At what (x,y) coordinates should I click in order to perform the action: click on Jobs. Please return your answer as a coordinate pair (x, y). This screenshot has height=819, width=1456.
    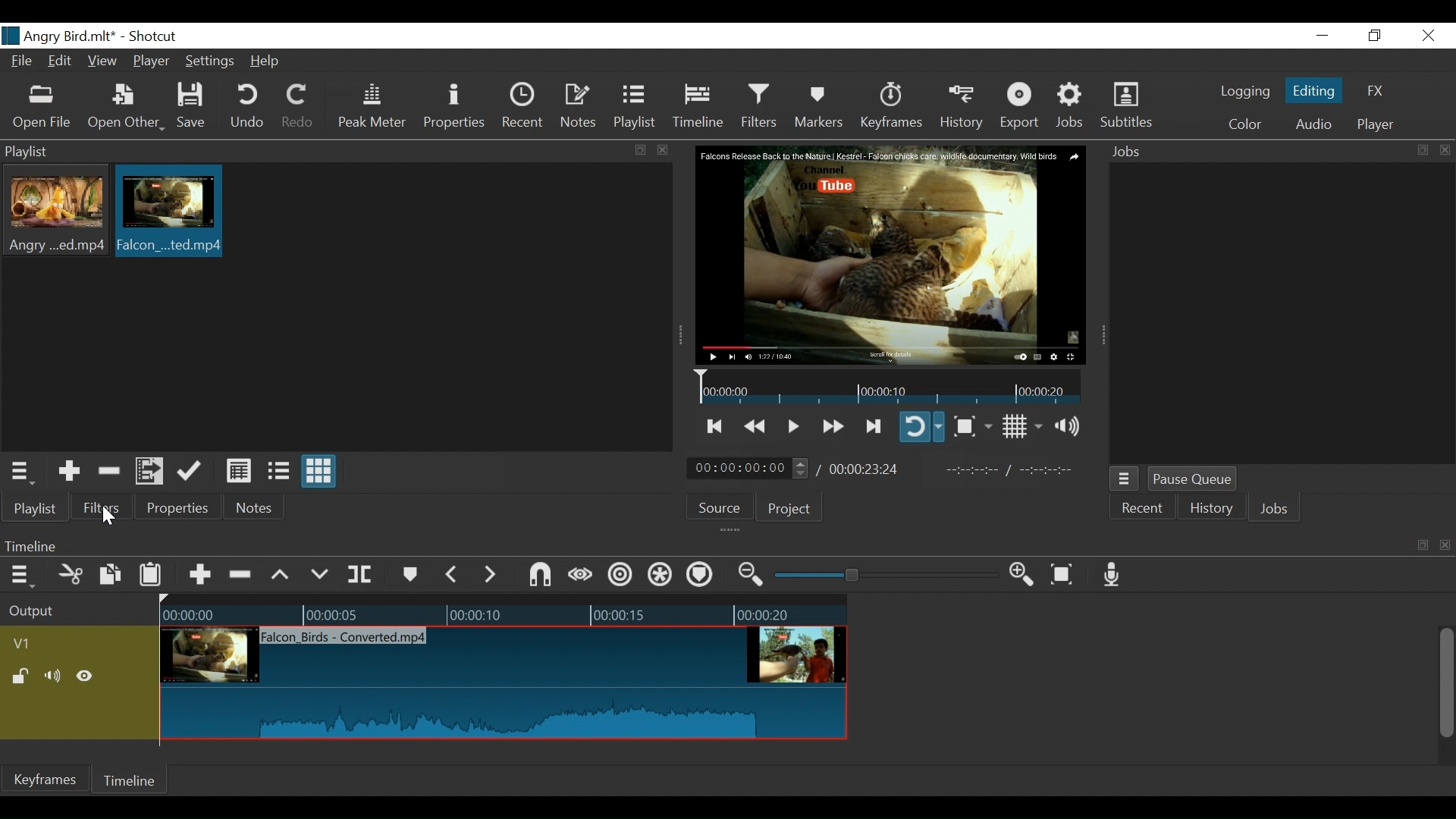
    Looking at the image, I should click on (1275, 510).